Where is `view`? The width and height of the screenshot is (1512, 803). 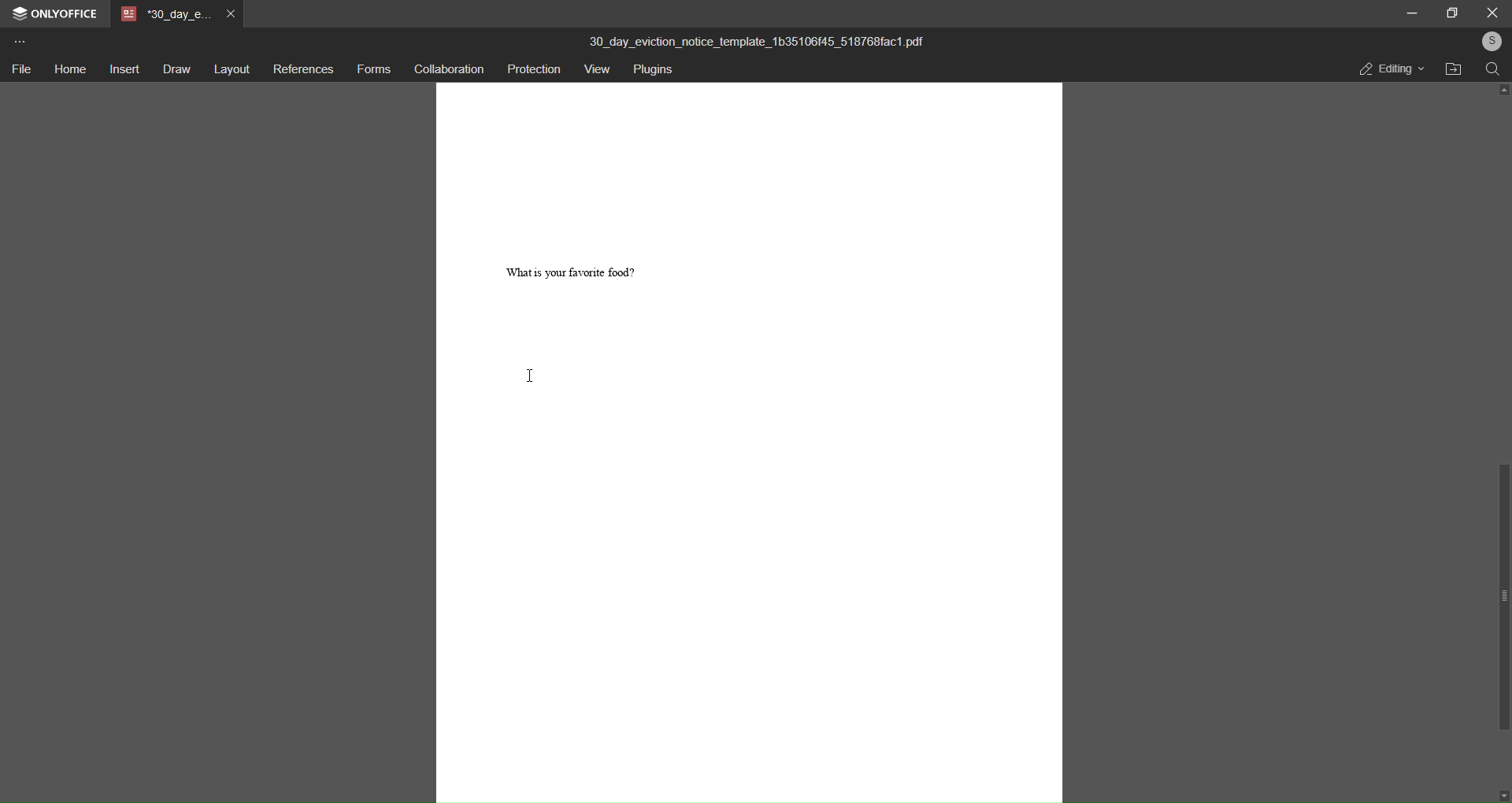
view is located at coordinates (595, 70).